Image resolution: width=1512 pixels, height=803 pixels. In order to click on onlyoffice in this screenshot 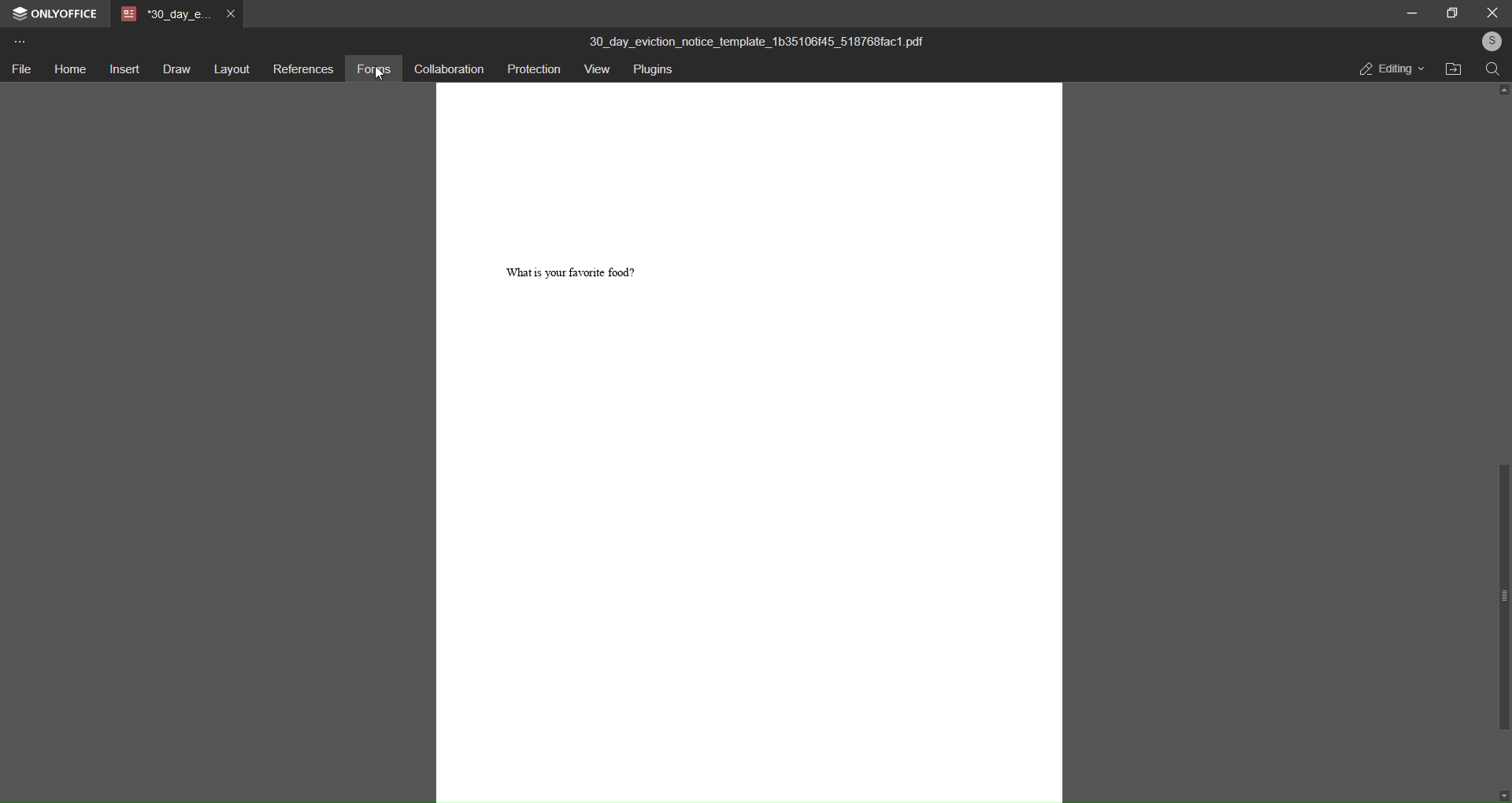, I will do `click(66, 14)`.